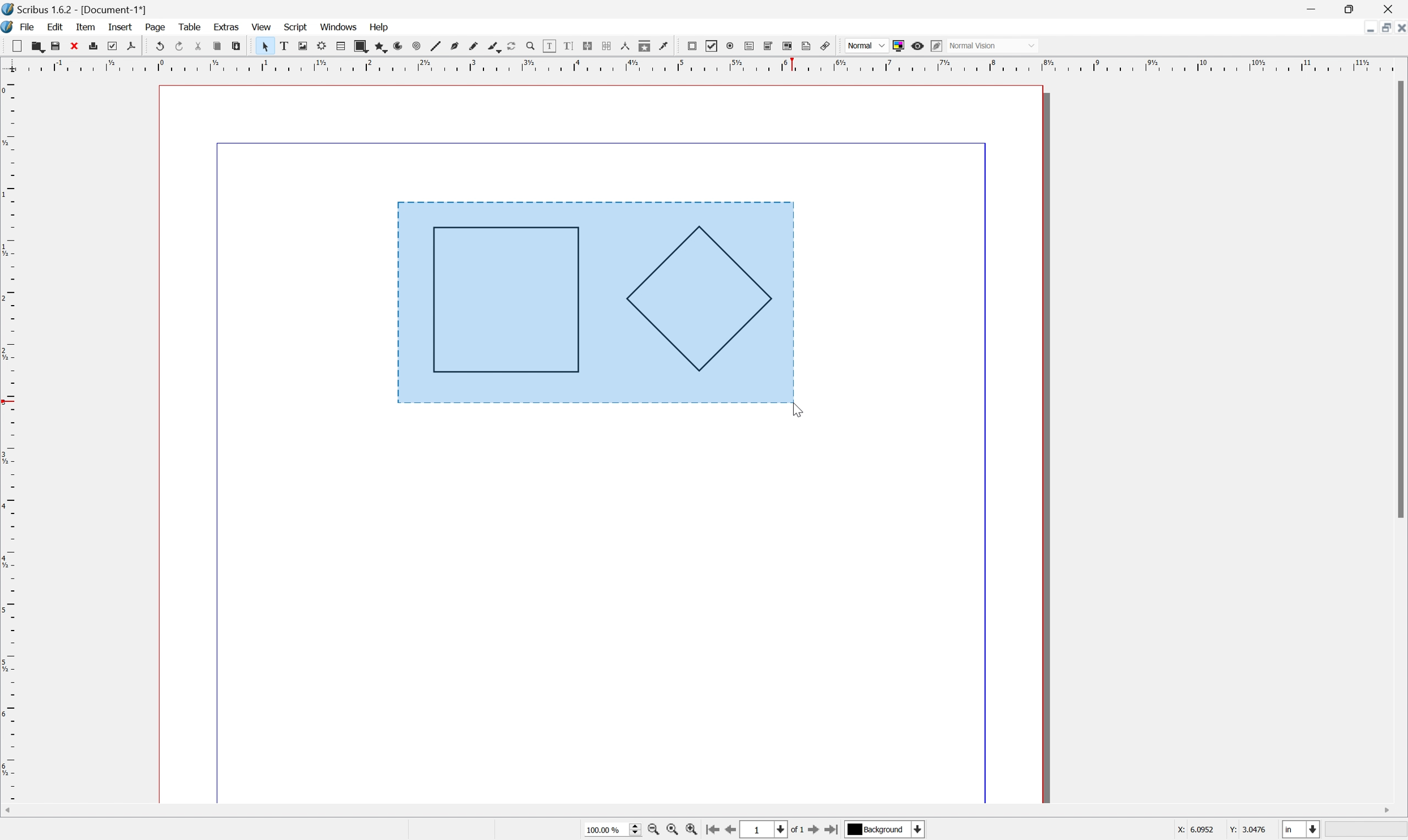 Image resolution: width=1408 pixels, height=840 pixels. I want to click on open, so click(38, 45).